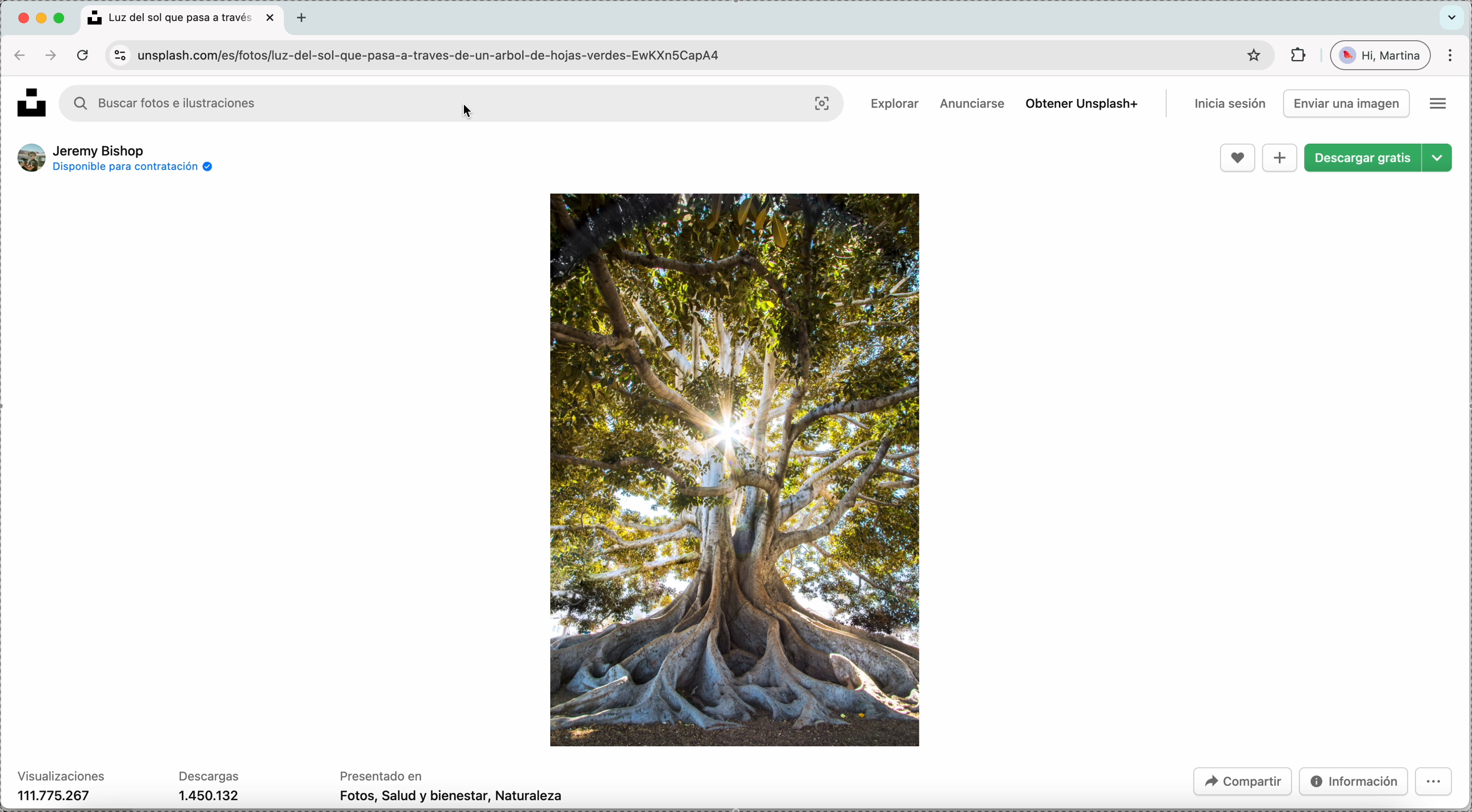 This screenshot has width=1472, height=812. Describe the element at coordinates (61, 786) in the screenshot. I see `Visualizaciones
111.775.267` at that location.